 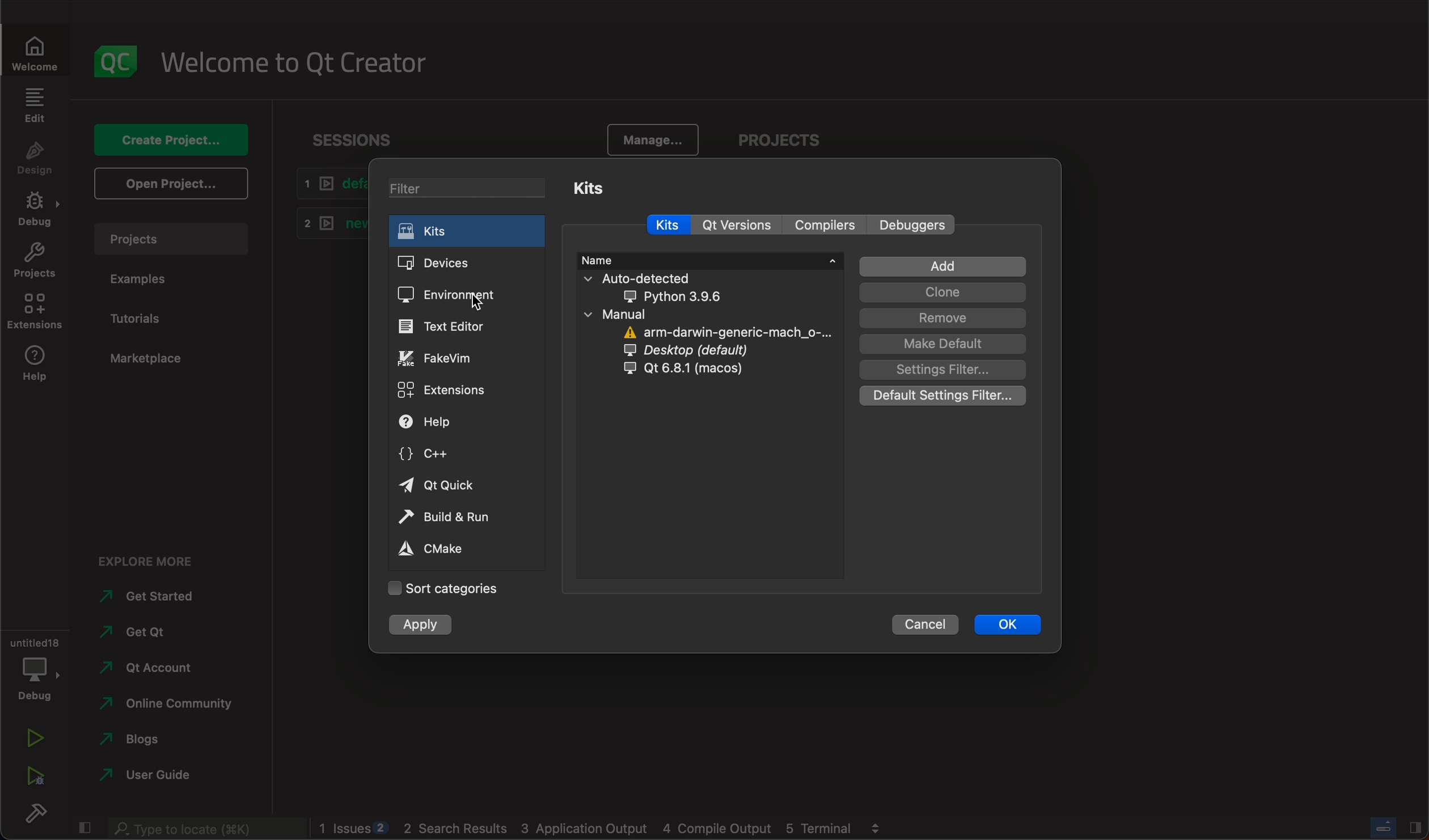 What do you see at coordinates (1398, 826) in the screenshot?
I see `close slide bar` at bounding box center [1398, 826].